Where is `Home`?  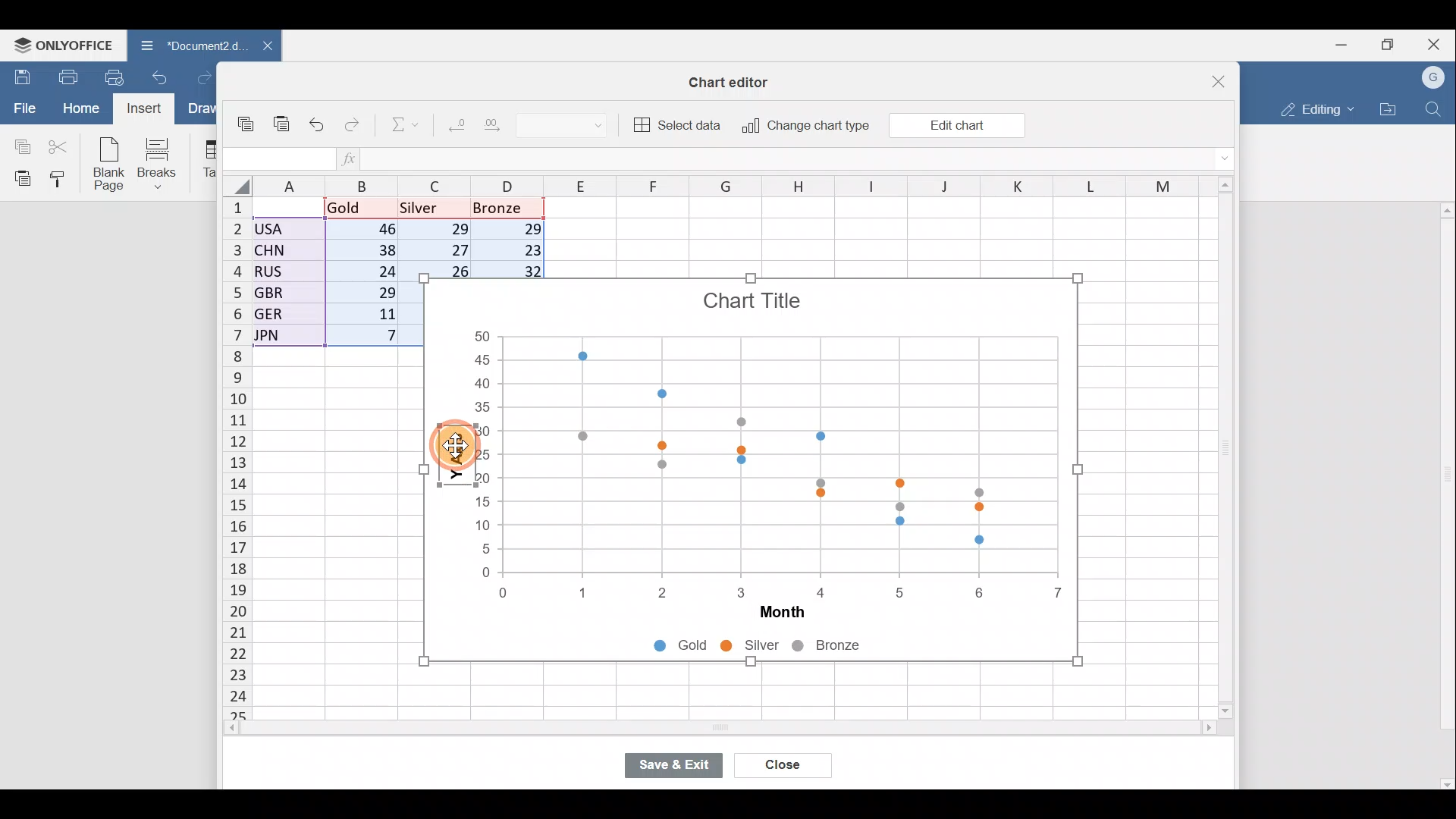 Home is located at coordinates (80, 110).